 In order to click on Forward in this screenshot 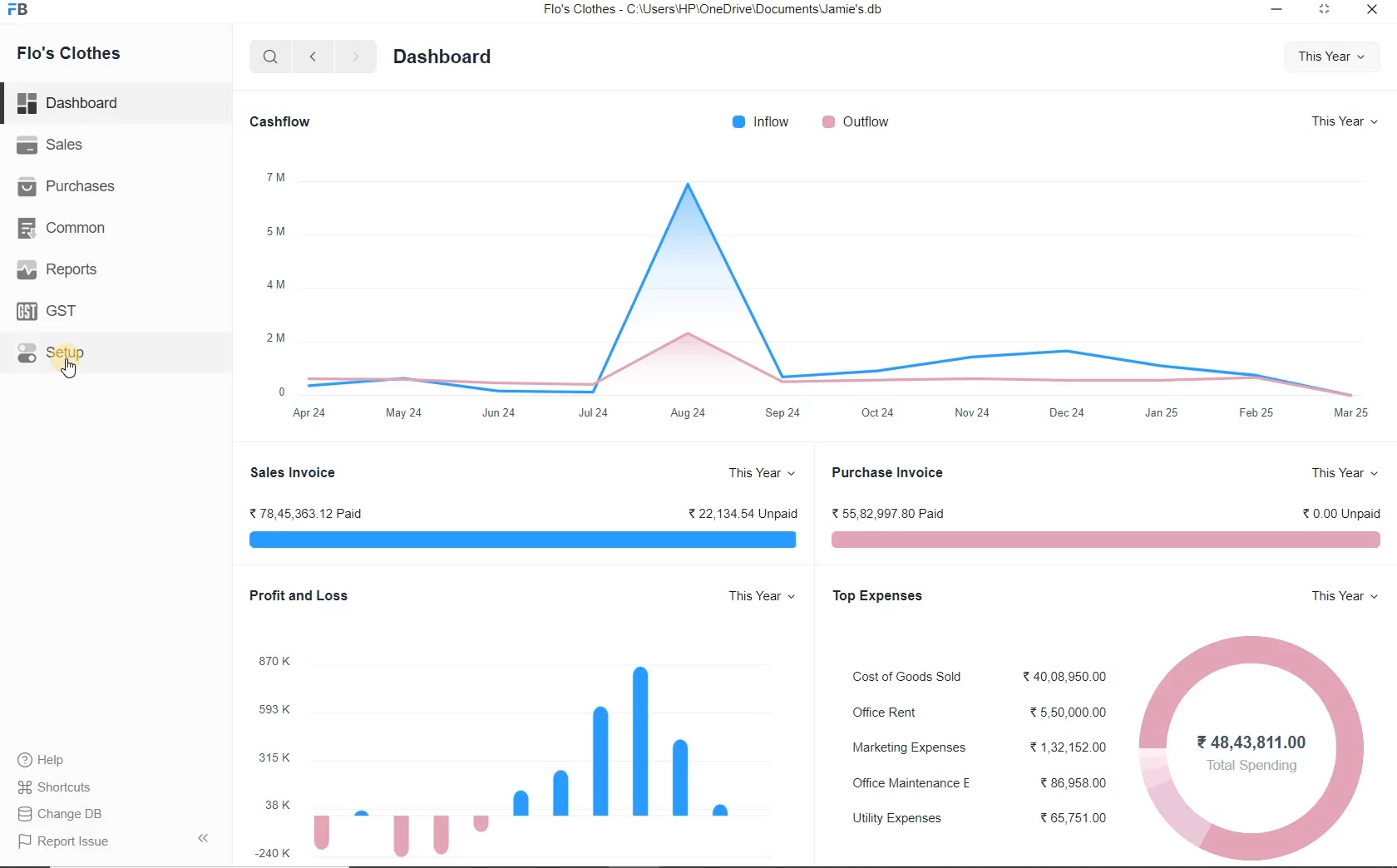, I will do `click(357, 57)`.